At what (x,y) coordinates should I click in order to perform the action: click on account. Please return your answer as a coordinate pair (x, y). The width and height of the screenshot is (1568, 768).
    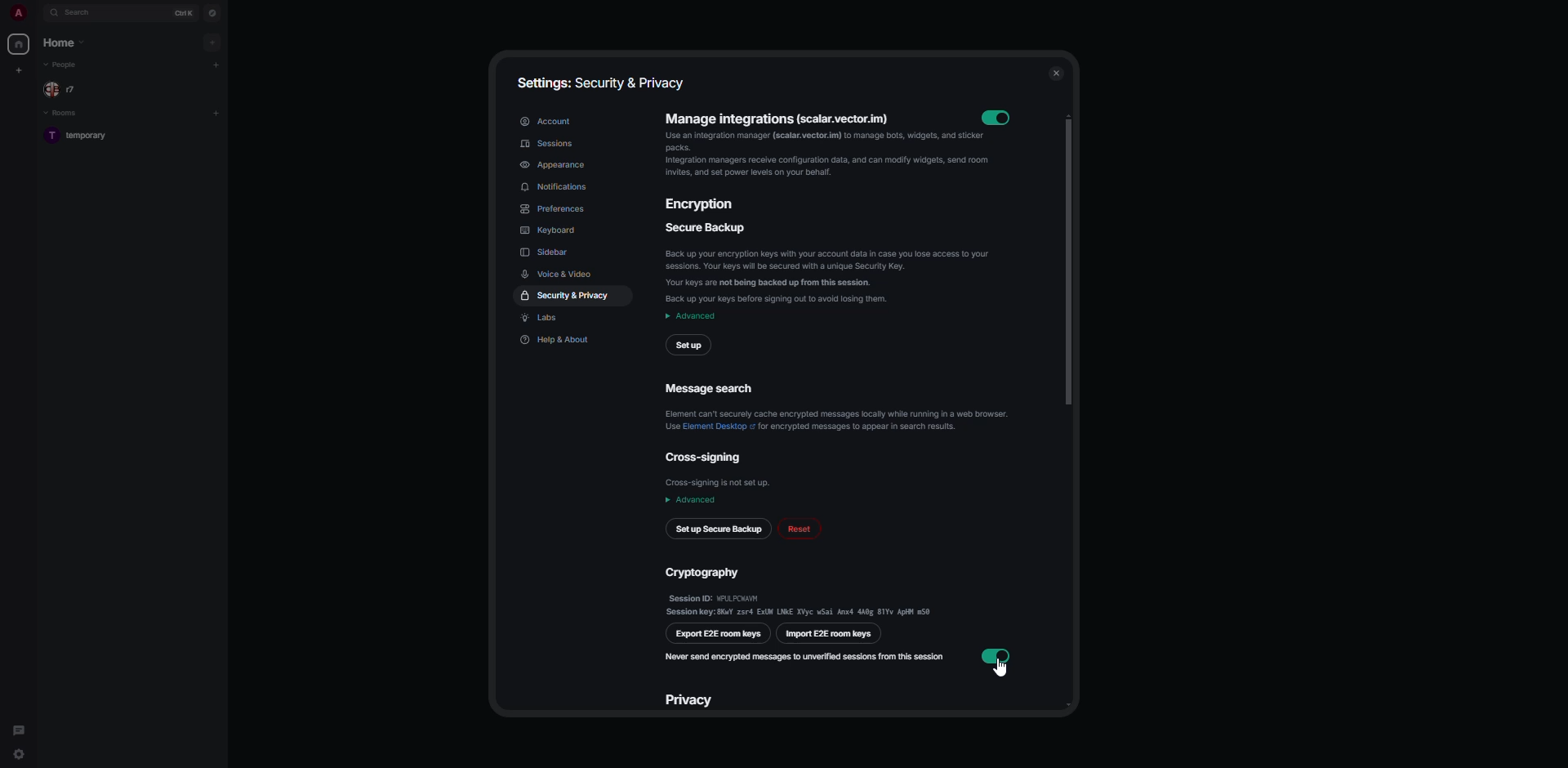
    Looking at the image, I should click on (546, 122).